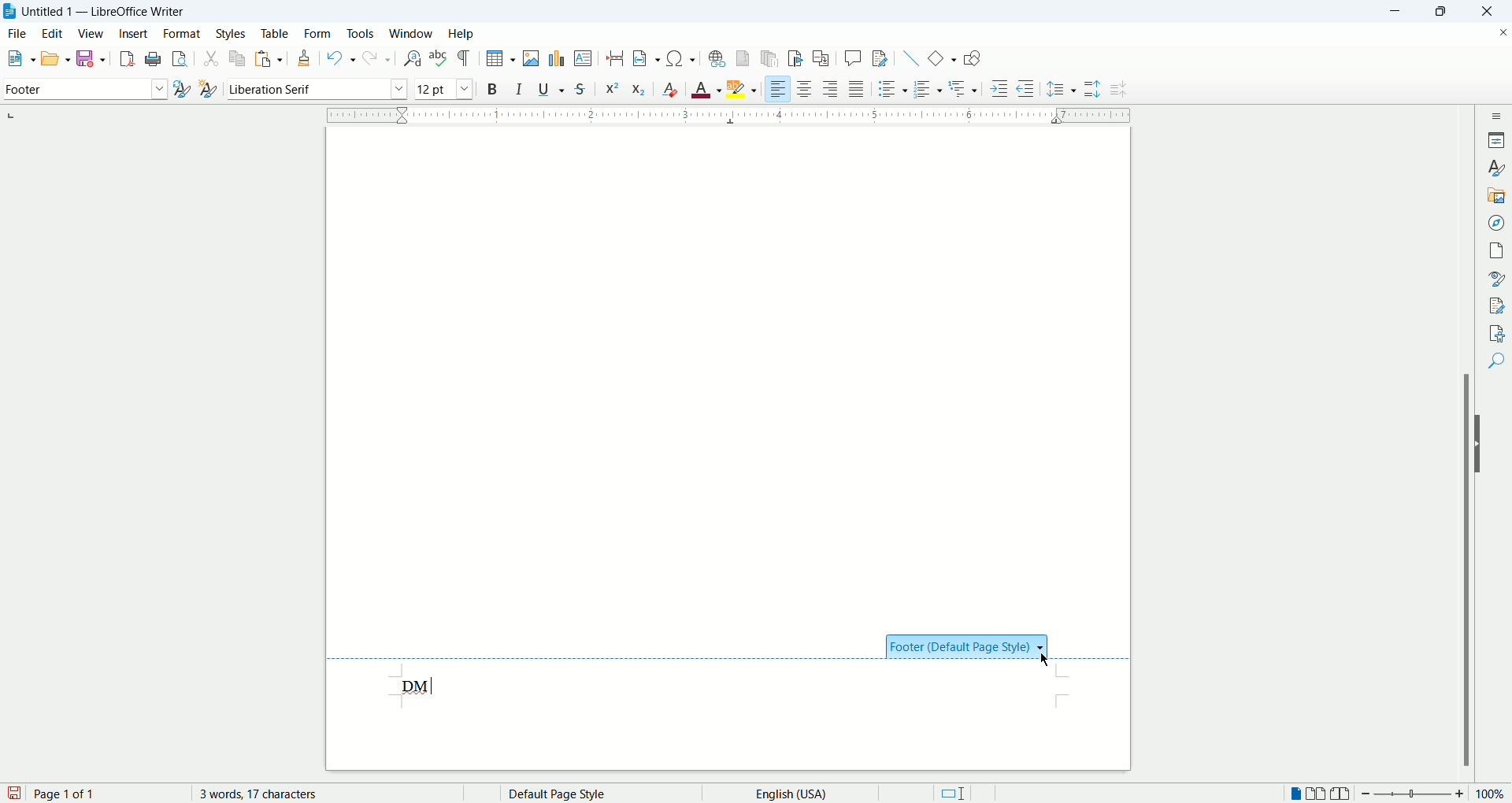 The width and height of the screenshot is (1512, 803). What do you see at coordinates (151, 59) in the screenshot?
I see `print` at bounding box center [151, 59].